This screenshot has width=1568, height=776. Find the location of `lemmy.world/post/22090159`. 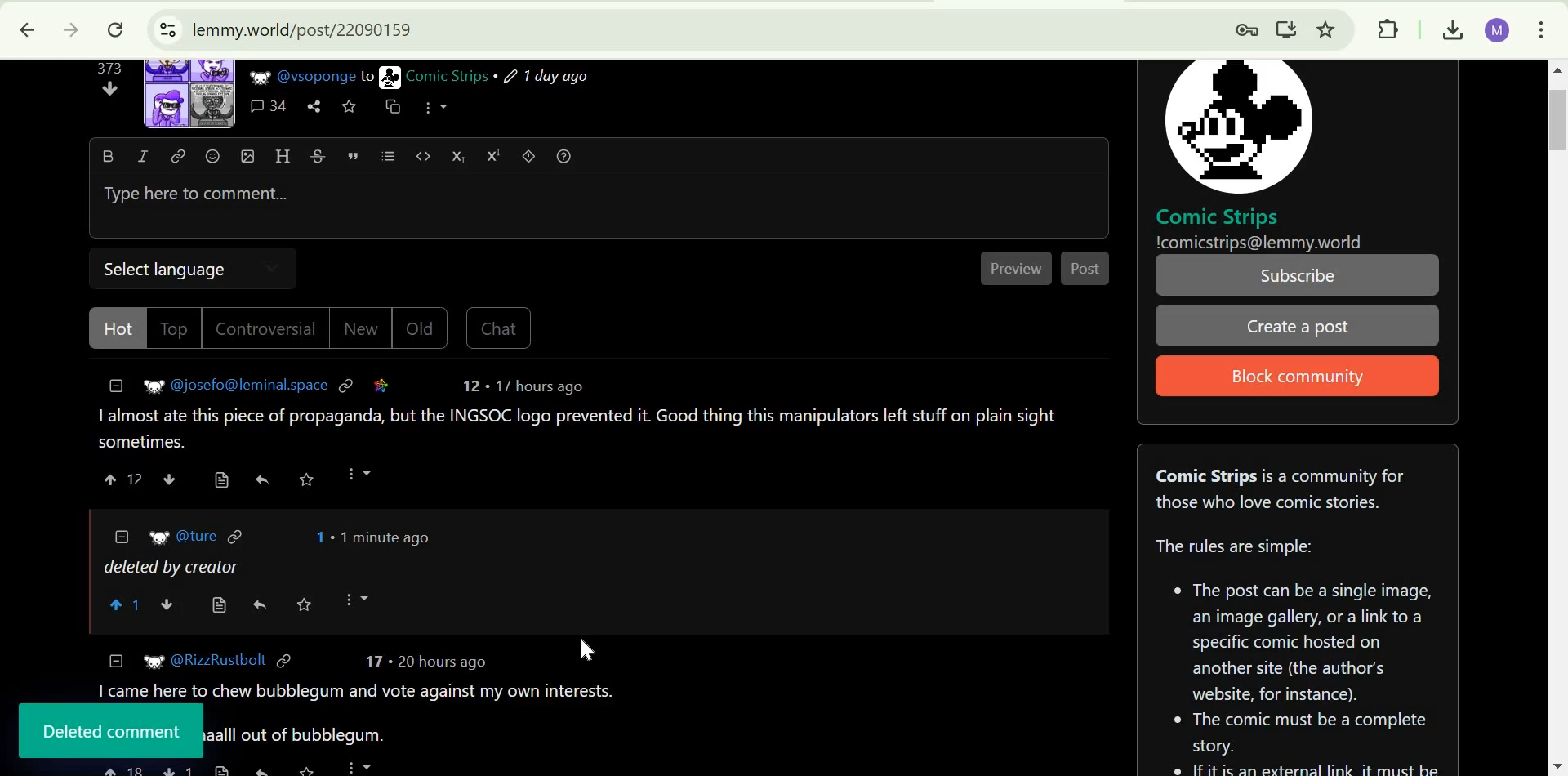

lemmy.world/post/22090159 is located at coordinates (300, 29).